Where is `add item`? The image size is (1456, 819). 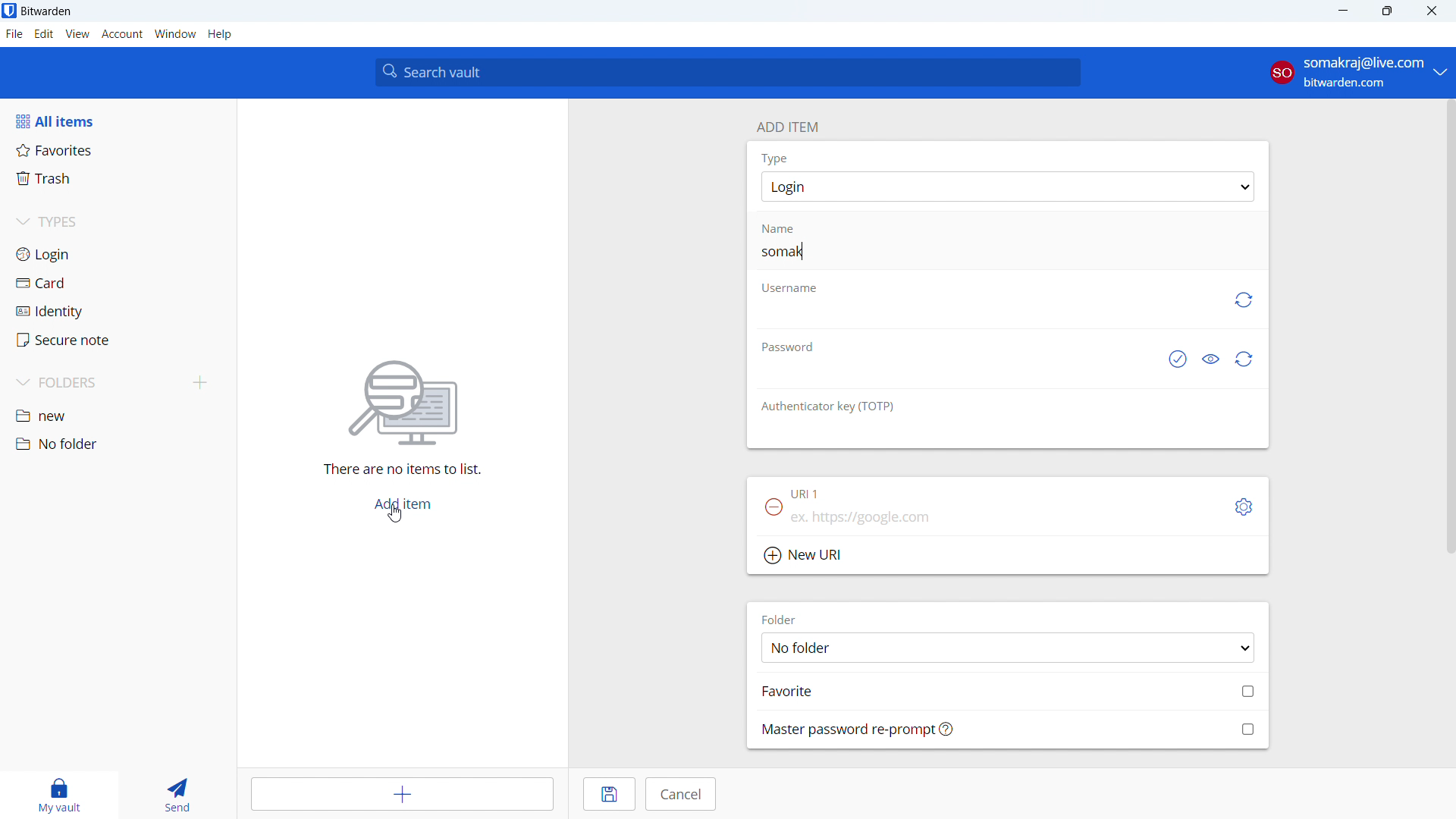
add item is located at coordinates (786, 125).